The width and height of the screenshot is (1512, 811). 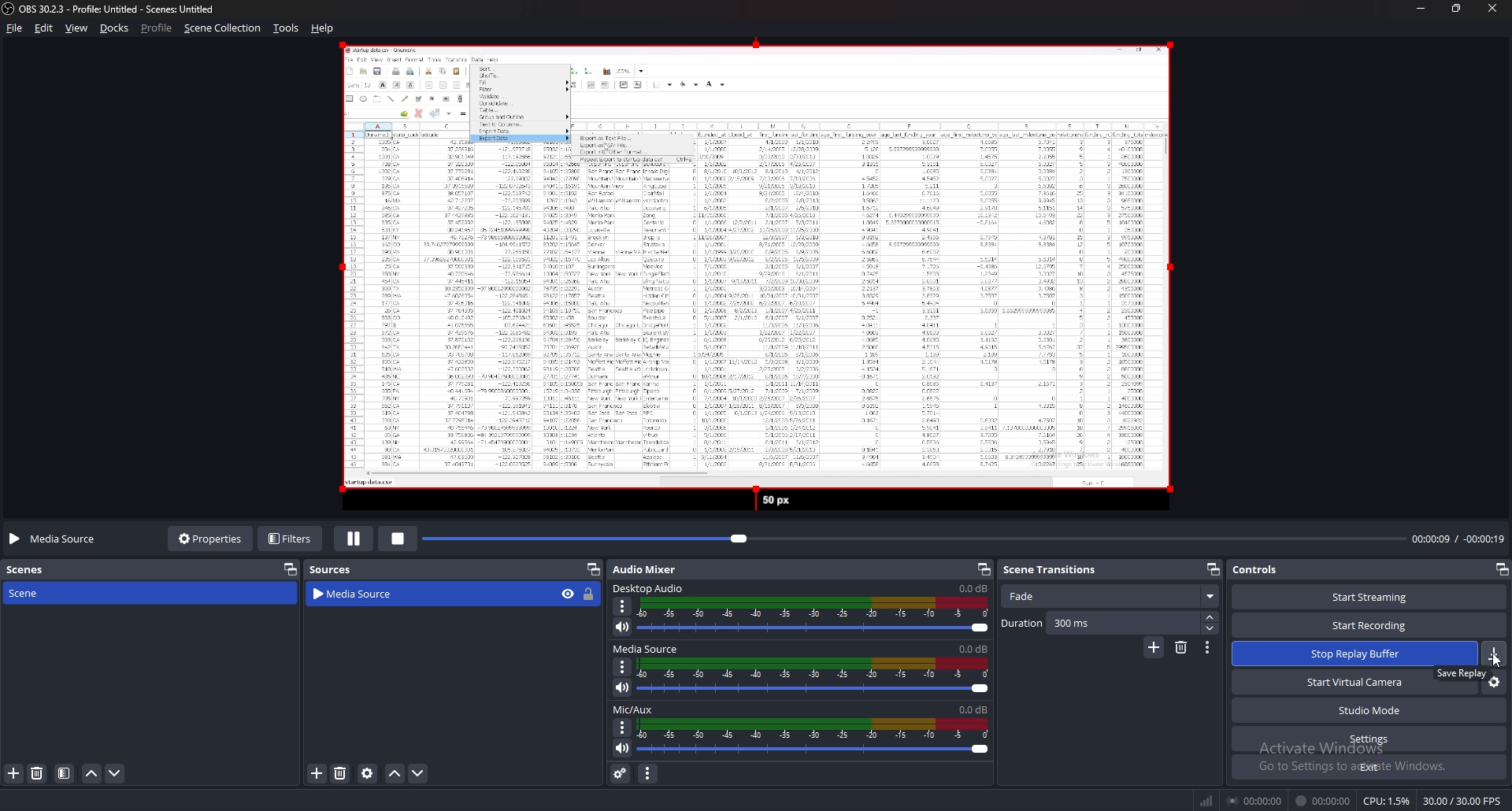 What do you see at coordinates (341, 772) in the screenshot?
I see `delete source` at bounding box center [341, 772].